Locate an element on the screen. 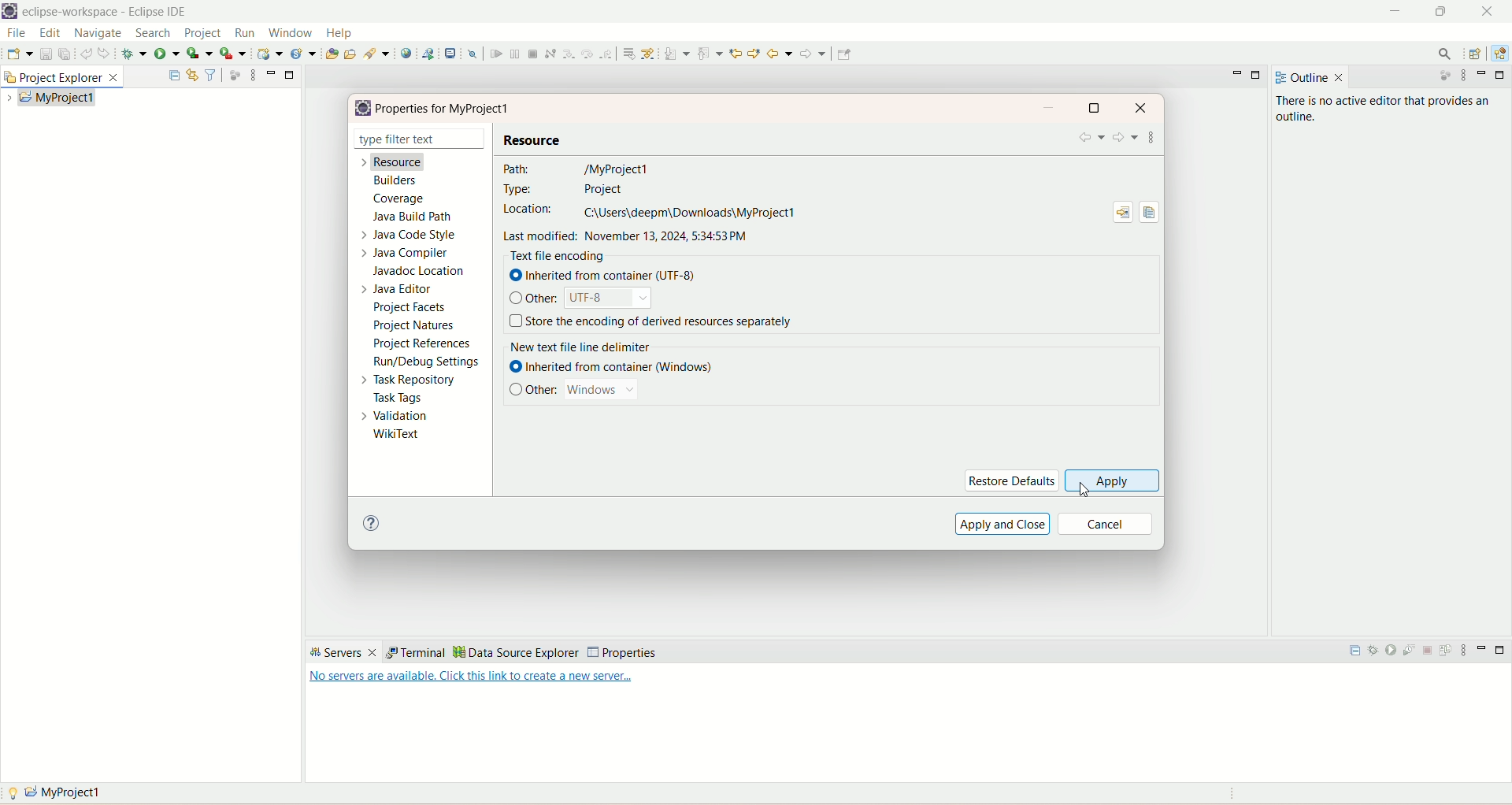 The height and width of the screenshot is (805, 1512). start the server is located at coordinates (1393, 653).